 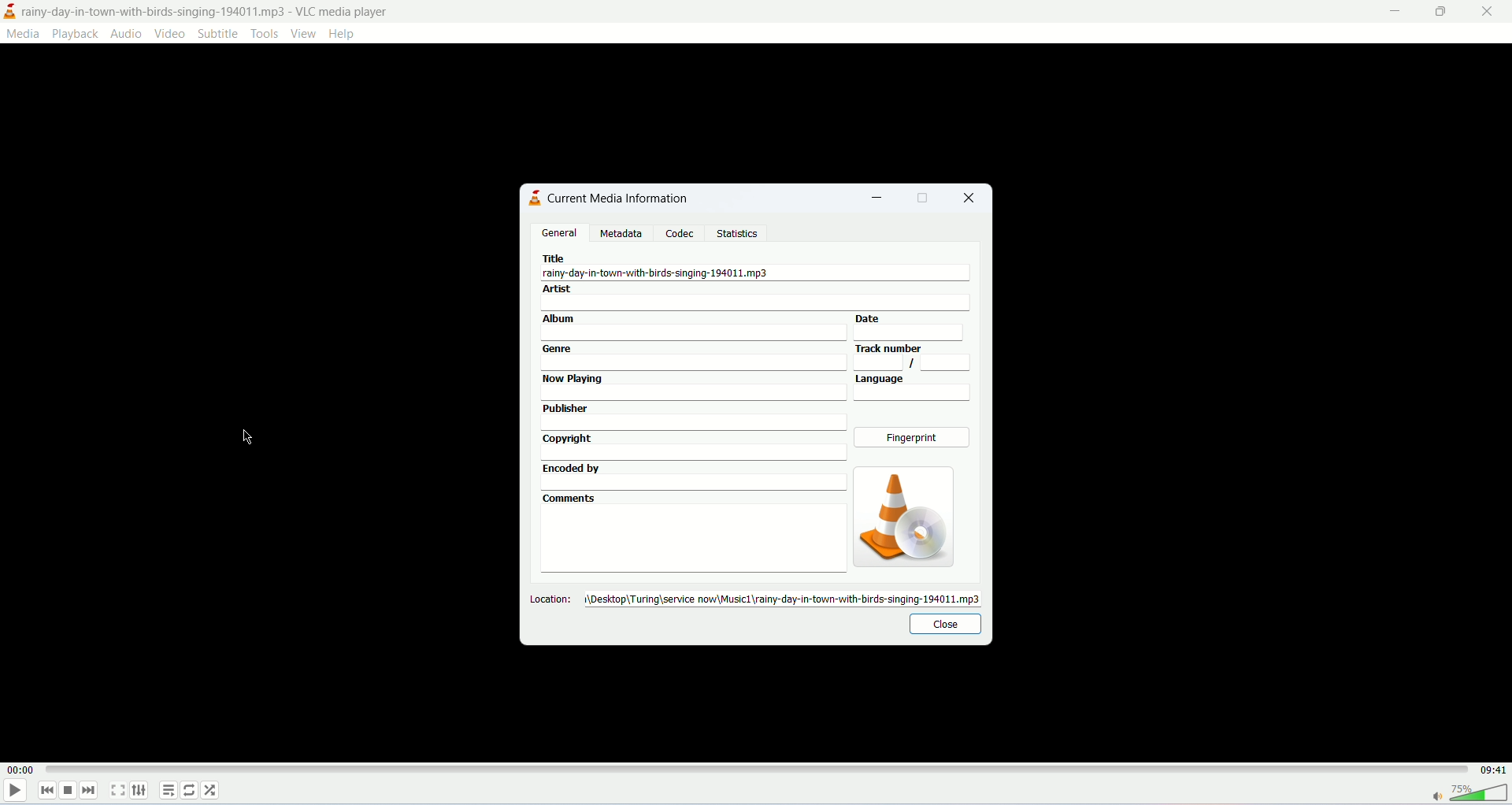 What do you see at coordinates (23, 34) in the screenshot?
I see `media` at bounding box center [23, 34].